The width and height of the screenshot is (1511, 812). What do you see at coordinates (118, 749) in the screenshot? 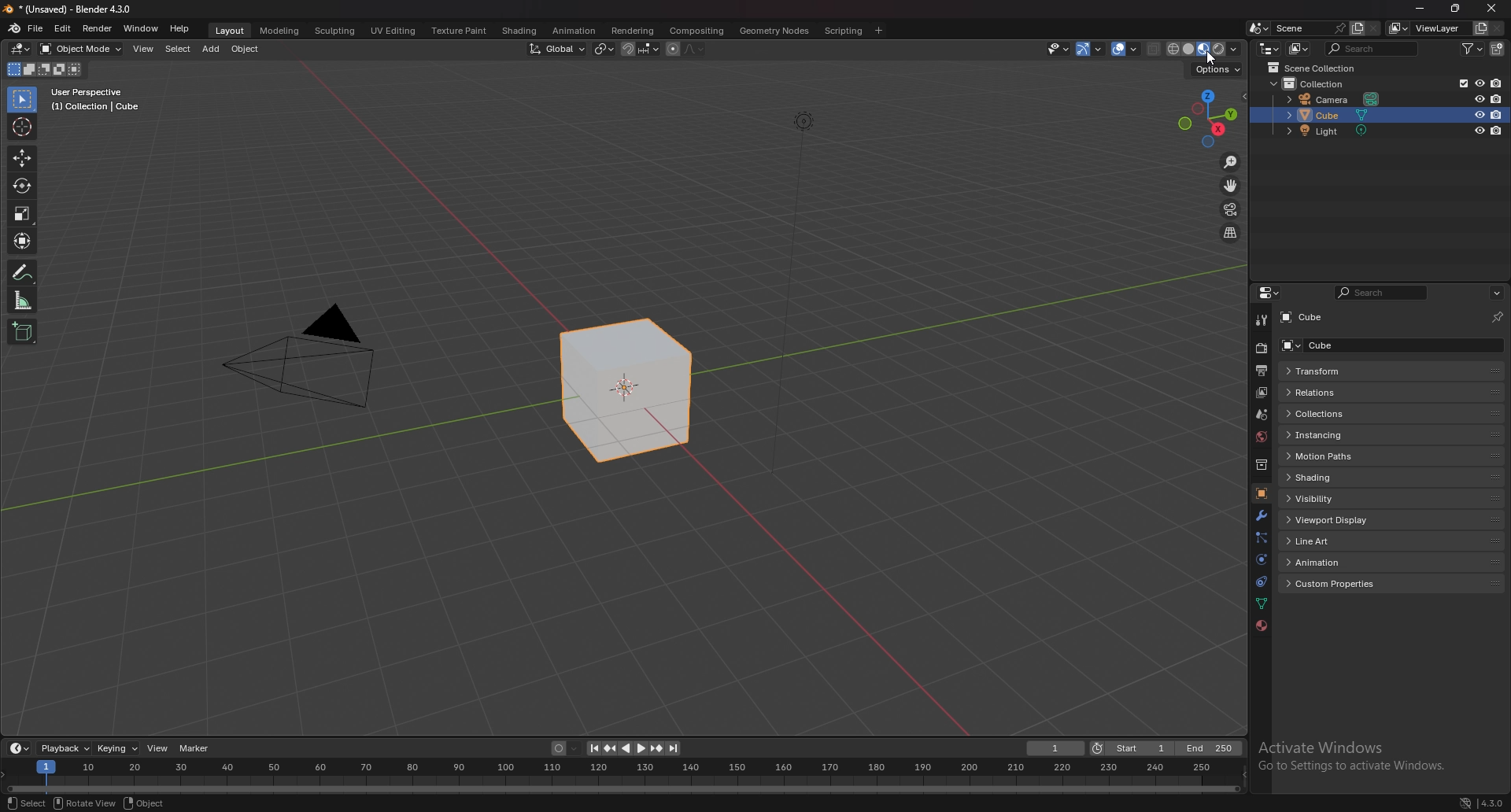
I see `keying` at bounding box center [118, 749].